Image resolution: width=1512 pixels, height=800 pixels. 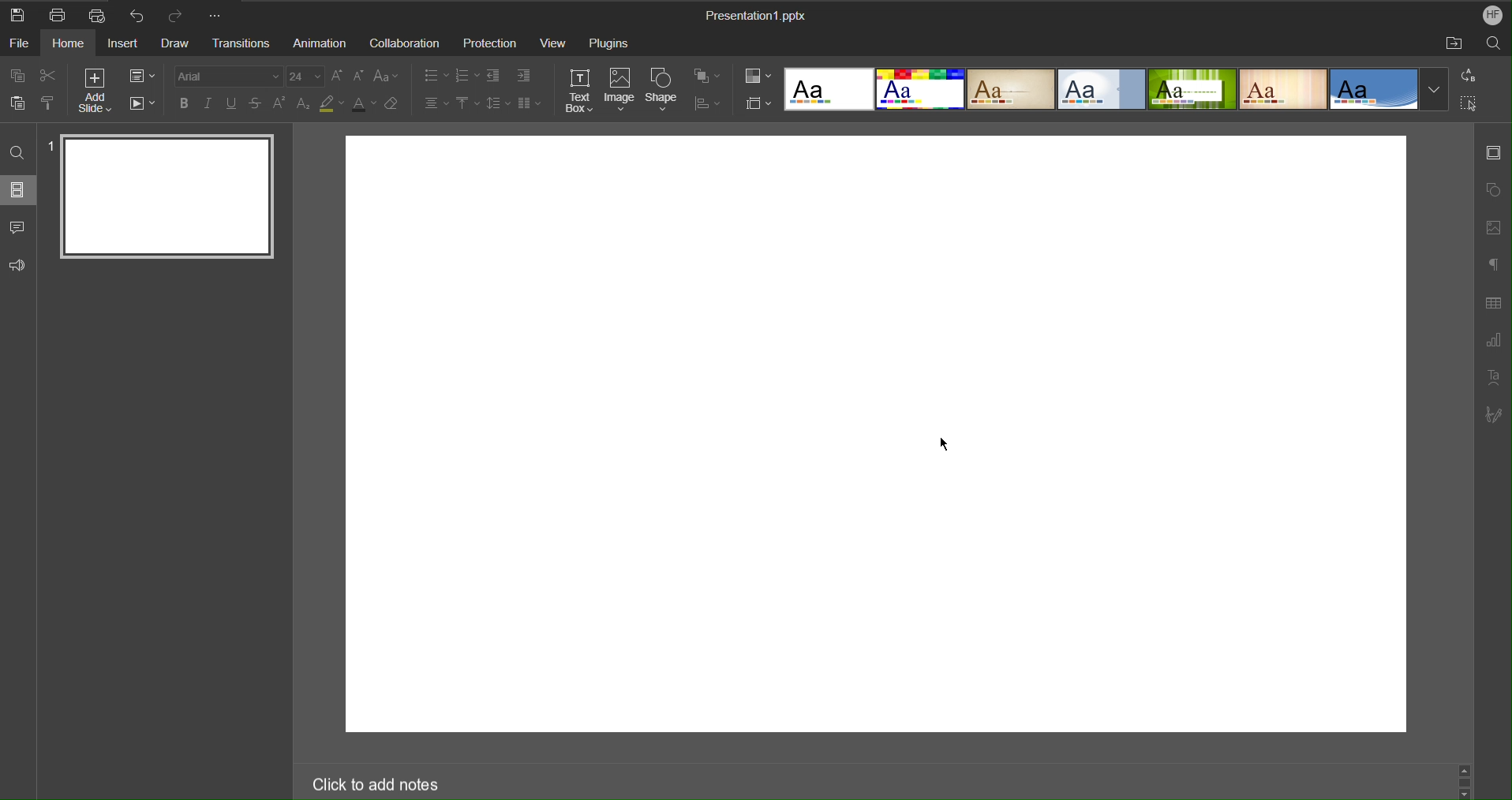 I want to click on Copy, so click(x=15, y=76).